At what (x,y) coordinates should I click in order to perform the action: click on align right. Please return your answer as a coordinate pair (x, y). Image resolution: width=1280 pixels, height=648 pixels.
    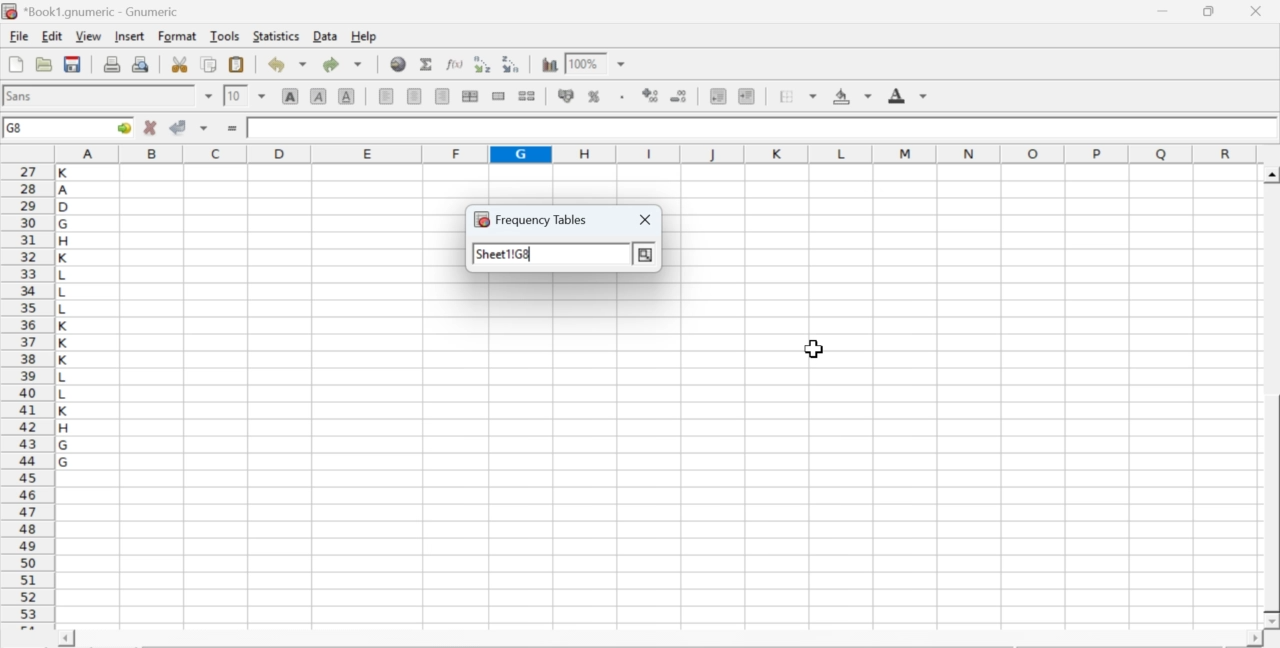
    Looking at the image, I should click on (442, 97).